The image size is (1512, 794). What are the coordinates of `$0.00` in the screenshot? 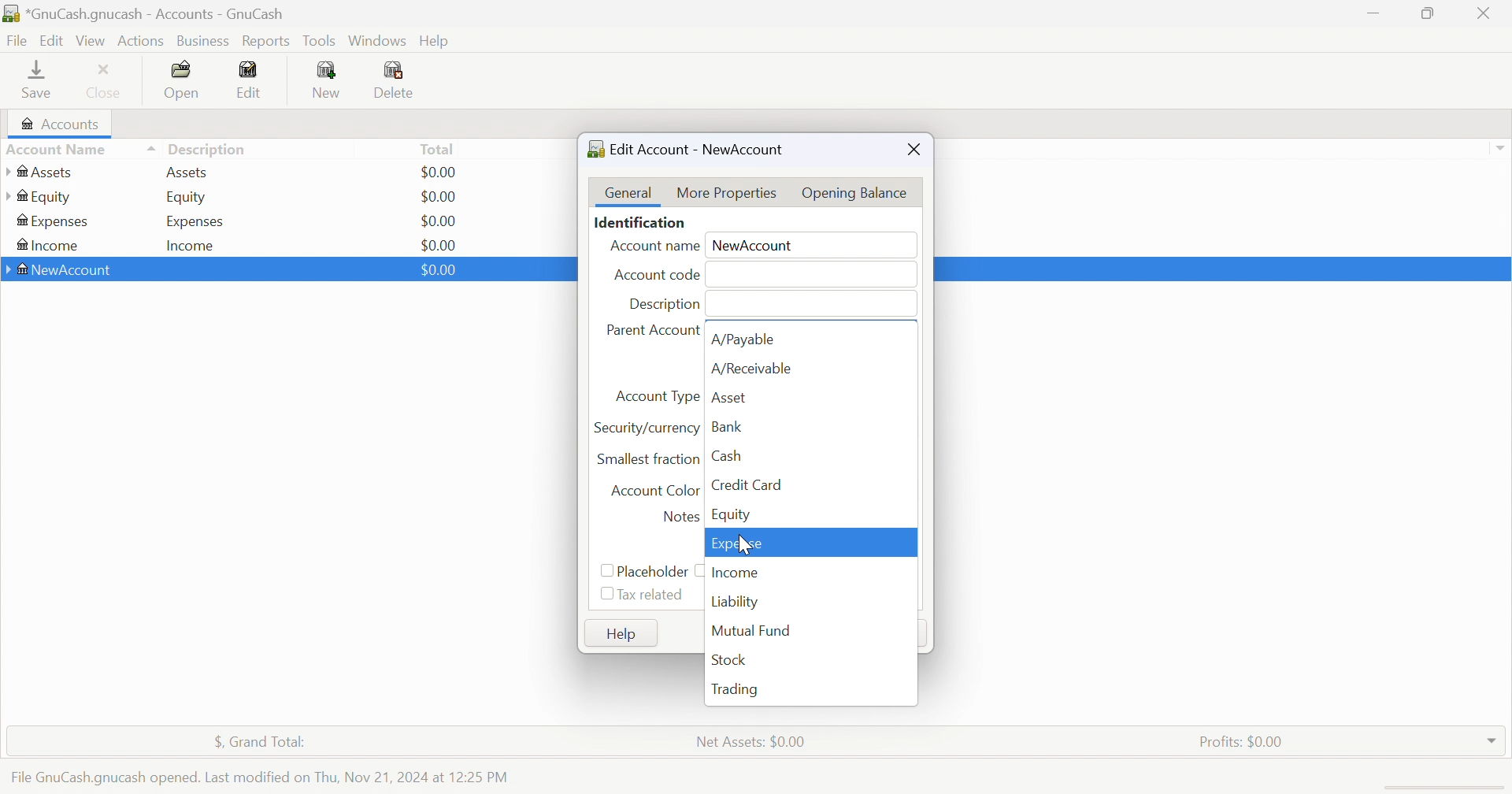 It's located at (438, 221).